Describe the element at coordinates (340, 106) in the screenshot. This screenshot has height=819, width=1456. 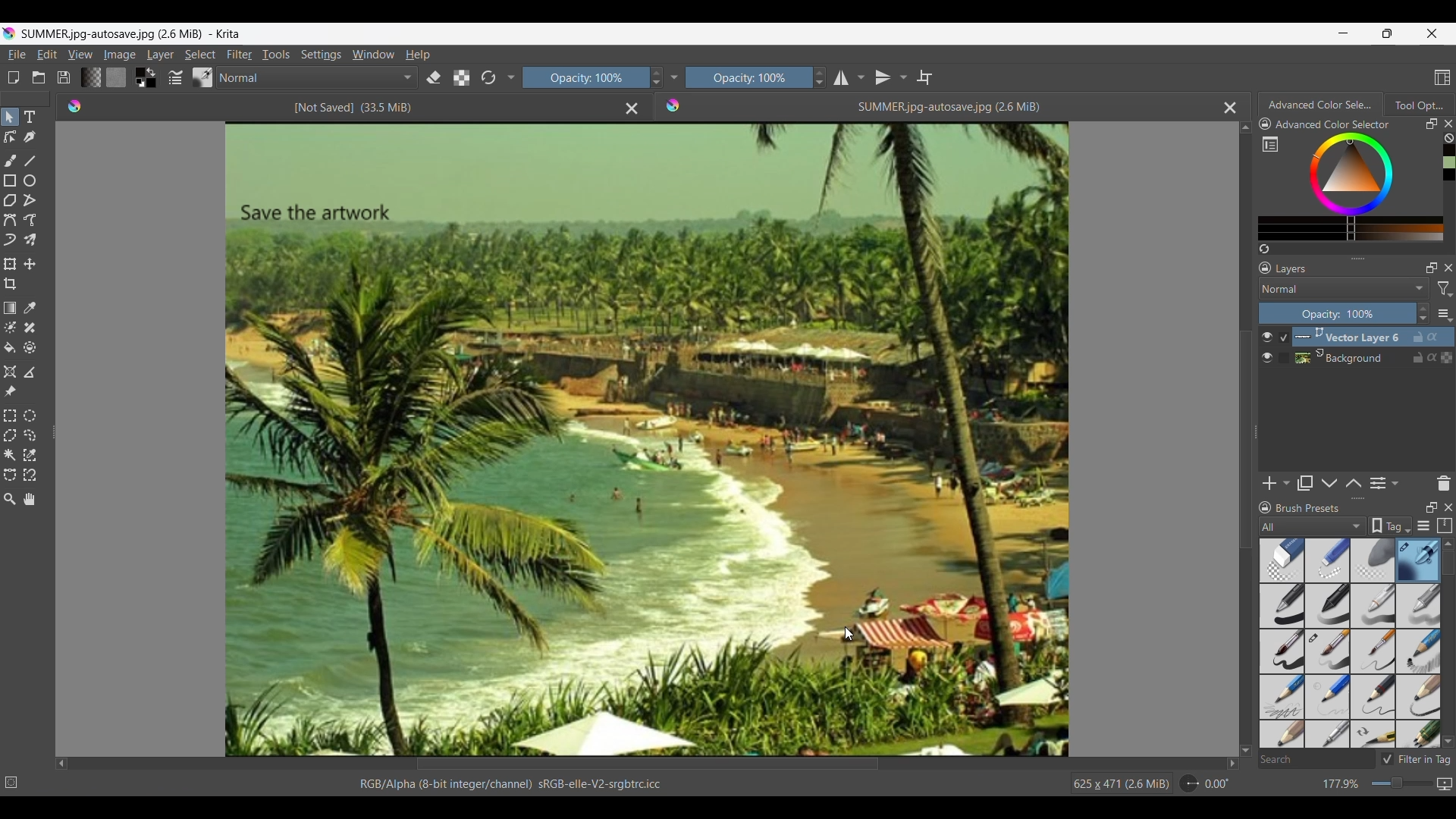
I see `Earlier tab` at that location.